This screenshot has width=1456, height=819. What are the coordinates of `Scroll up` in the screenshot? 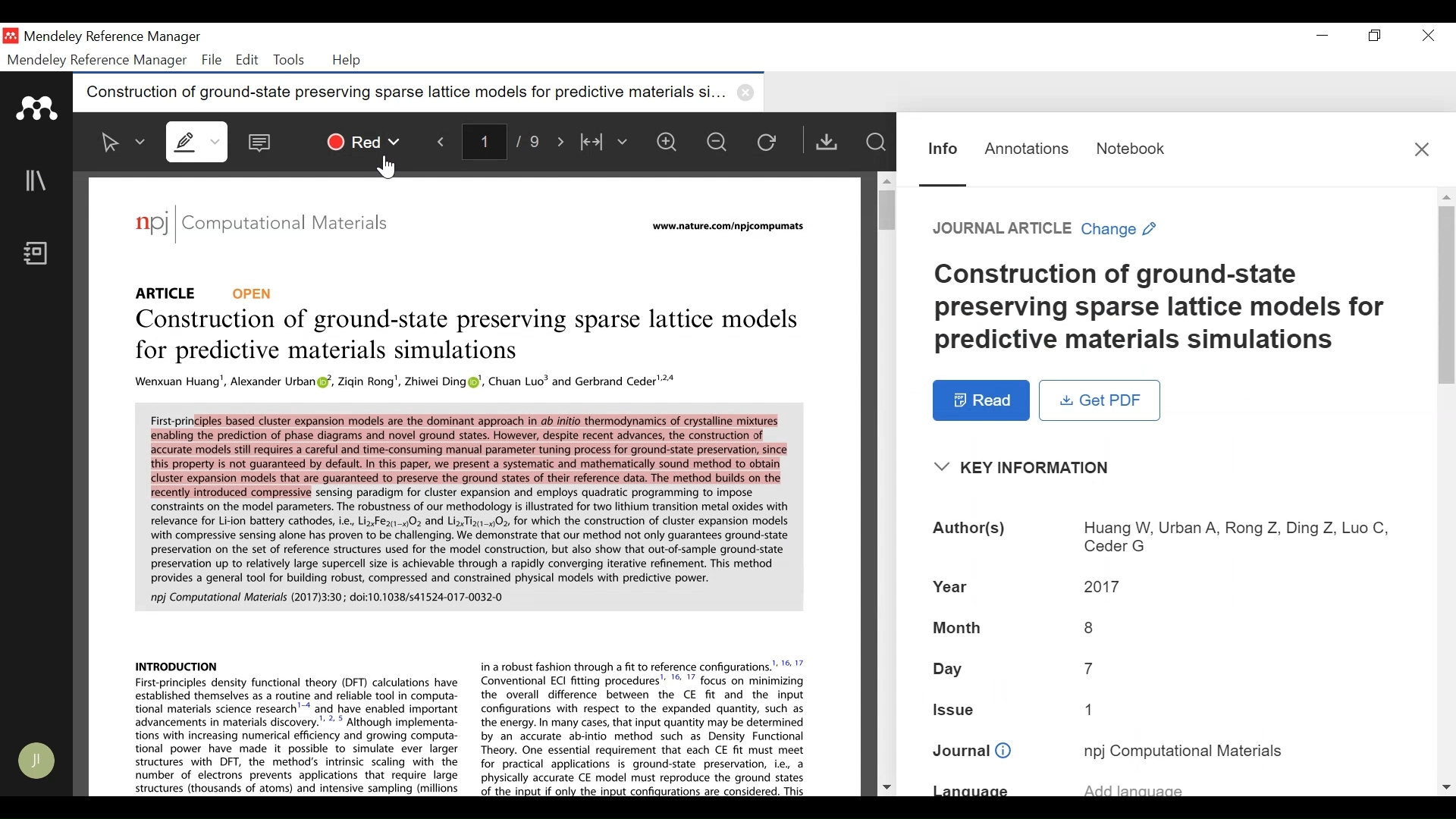 It's located at (885, 178).